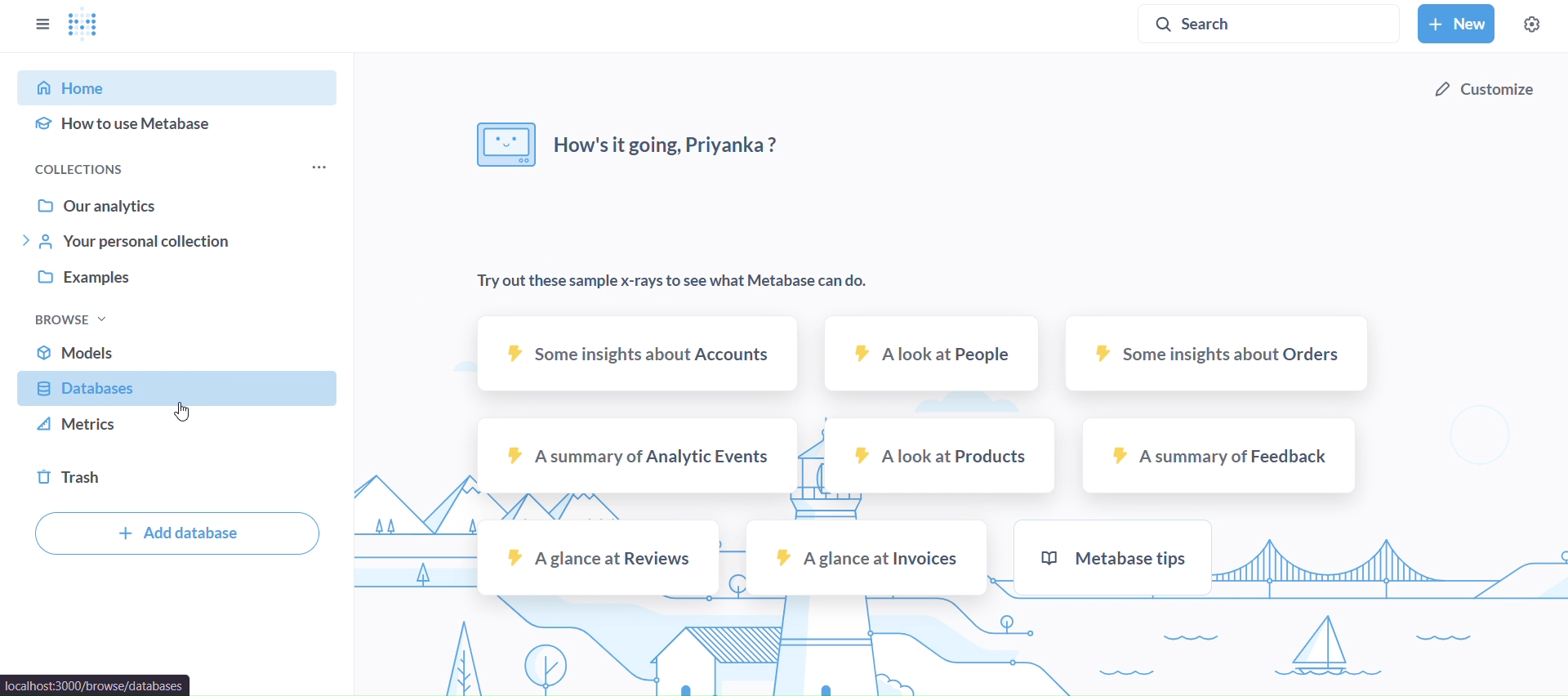  Describe the element at coordinates (177, 430) in the screenshot. I see `metrics` at that location.